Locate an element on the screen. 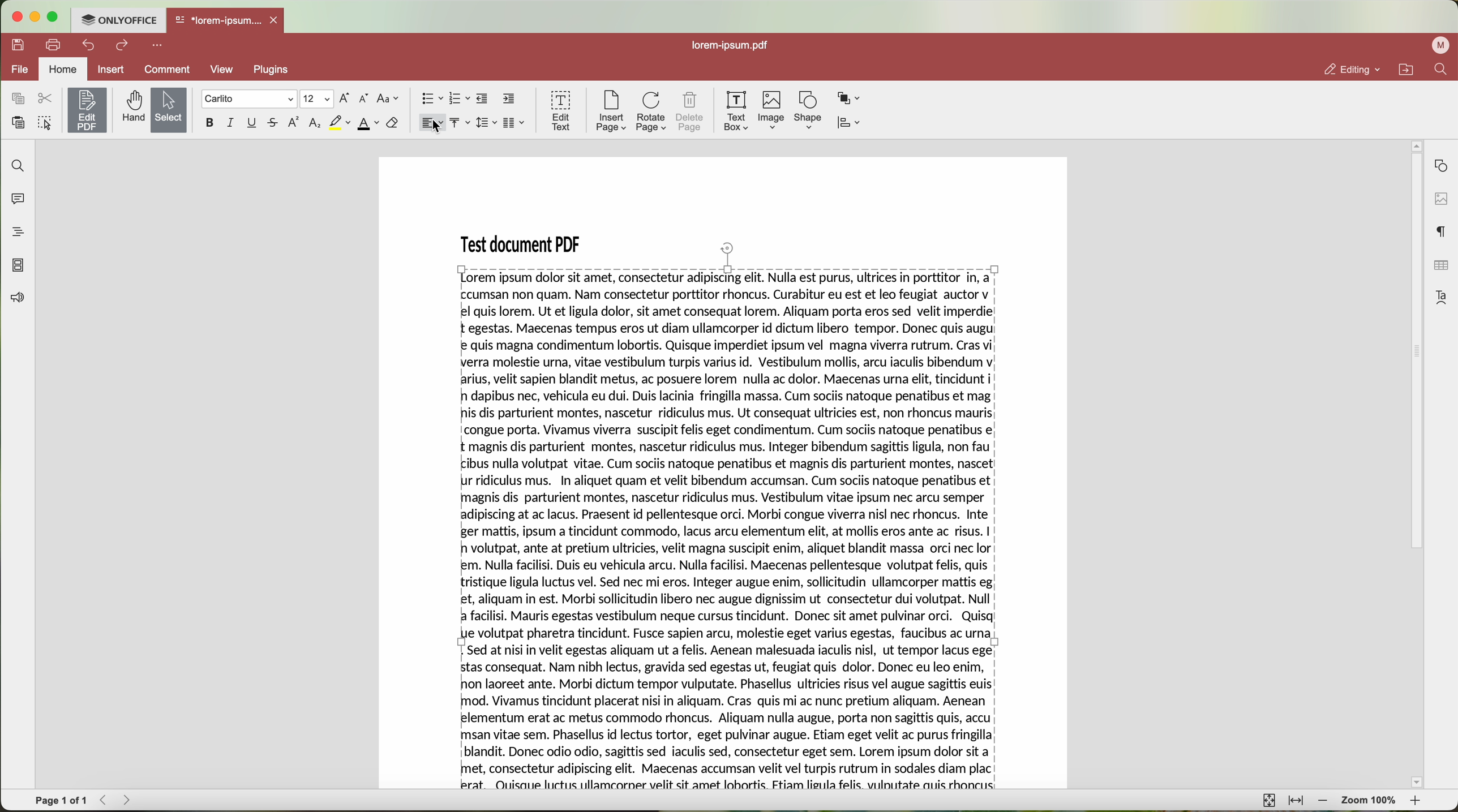 This screenshot has width=1458, height=812. change case is located at coordinates (389, 98).